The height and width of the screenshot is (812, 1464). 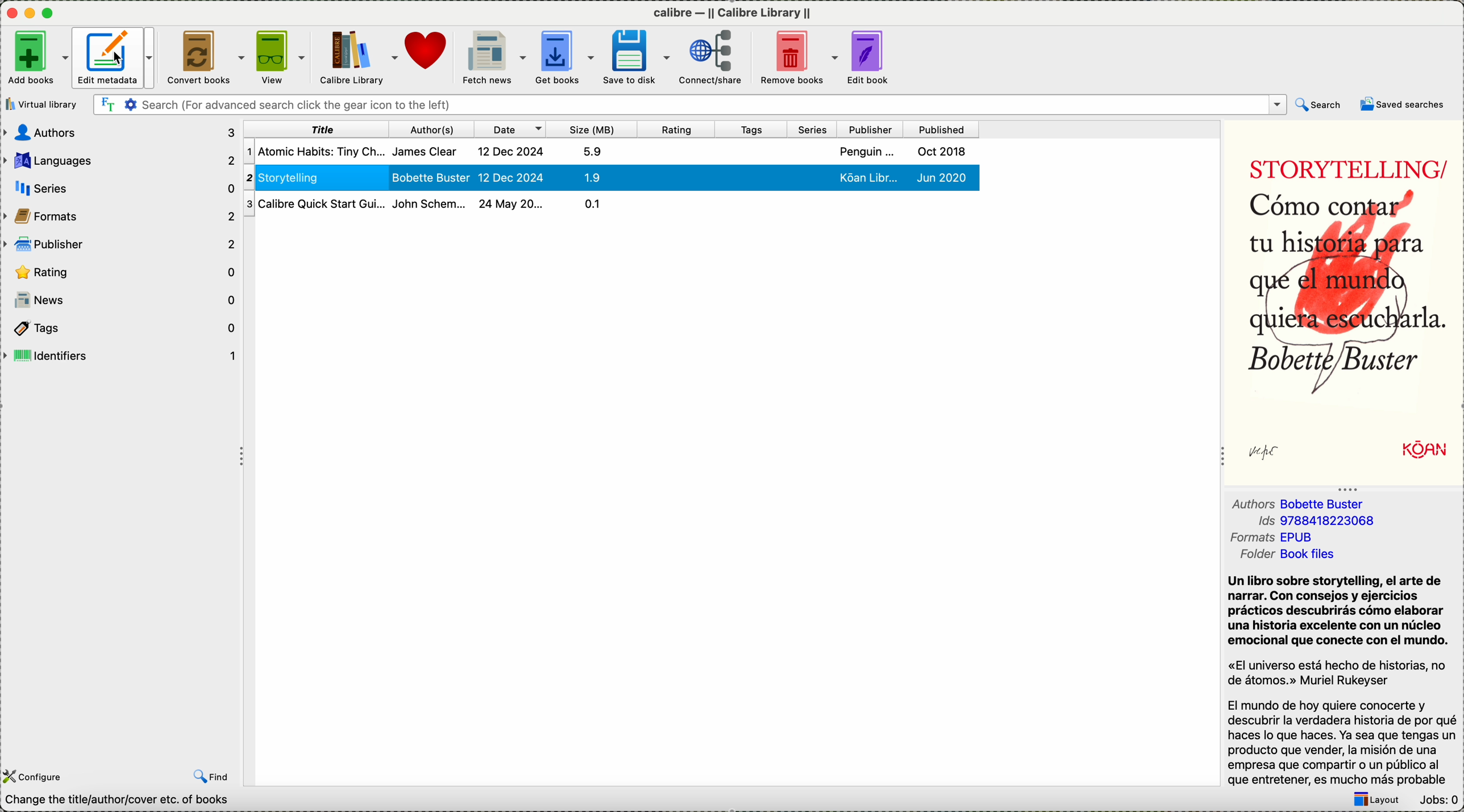 I want to click on Three Dots, so click(x=1345, y=488).